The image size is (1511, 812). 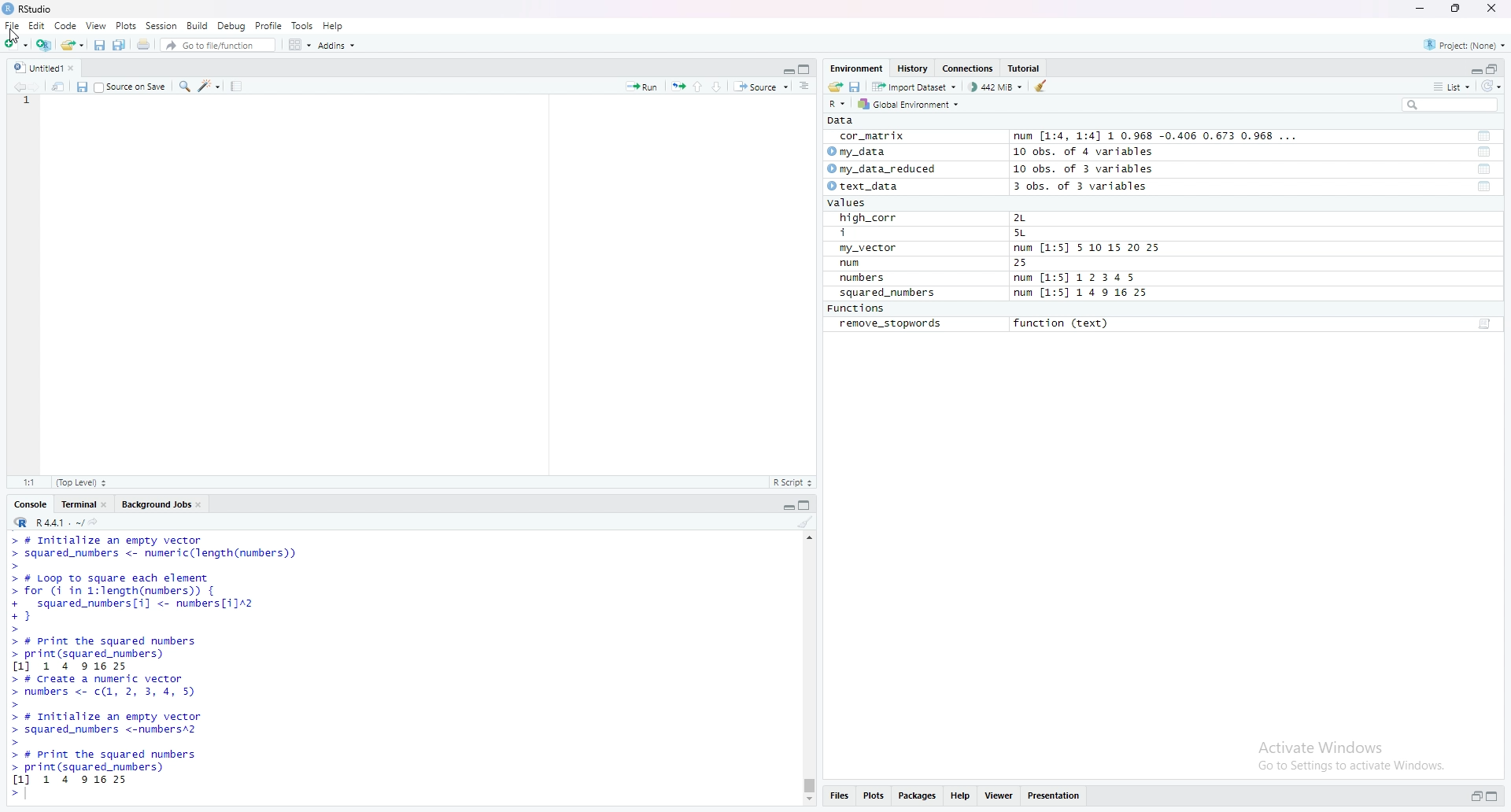 I want to click on values, so click(x=857, y=203).